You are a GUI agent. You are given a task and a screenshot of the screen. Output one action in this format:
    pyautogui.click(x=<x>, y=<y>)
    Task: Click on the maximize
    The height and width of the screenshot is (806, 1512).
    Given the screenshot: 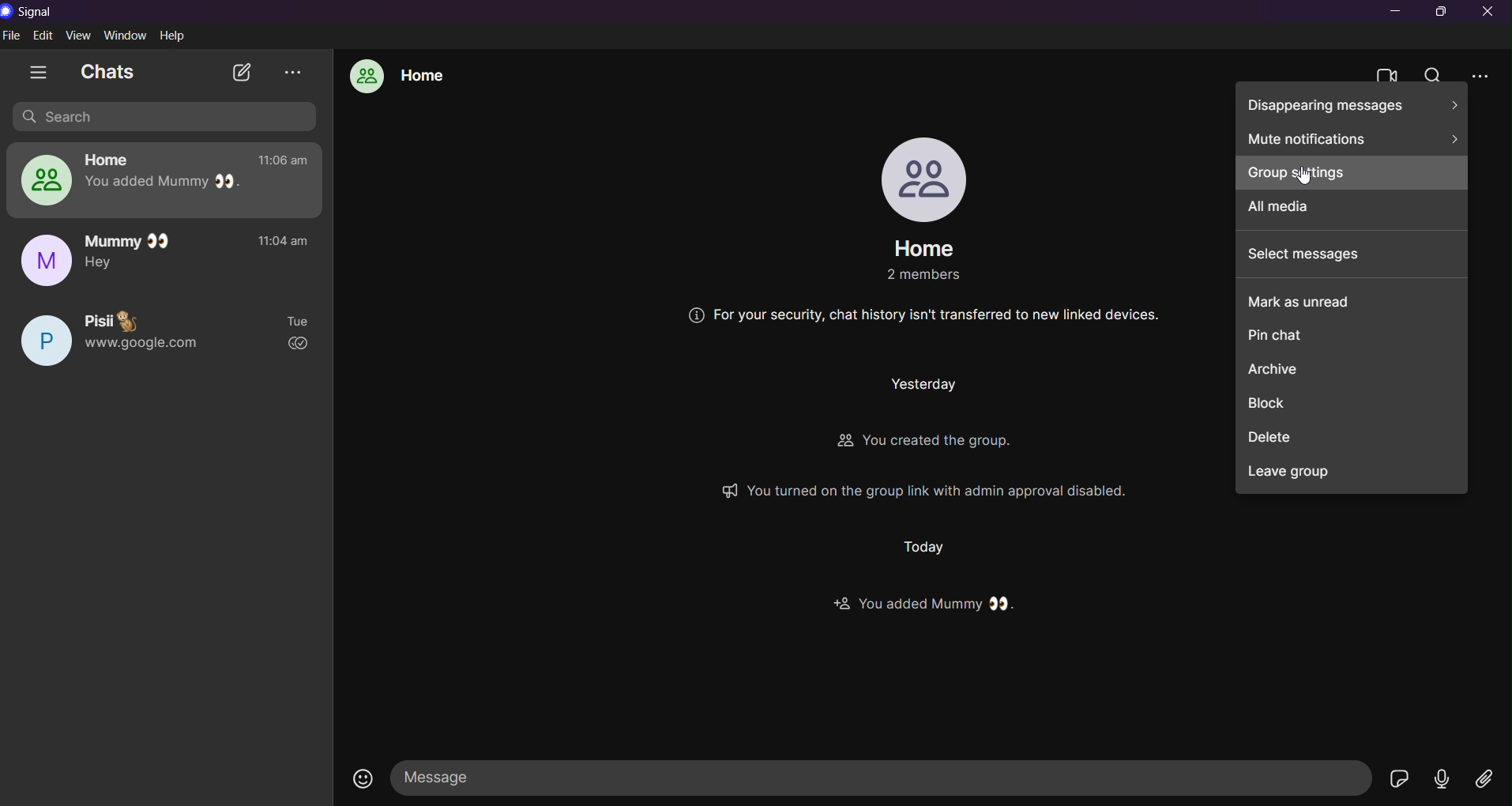 What is the action you would take?
    pyautogui.click(x=1442, y=12)
    